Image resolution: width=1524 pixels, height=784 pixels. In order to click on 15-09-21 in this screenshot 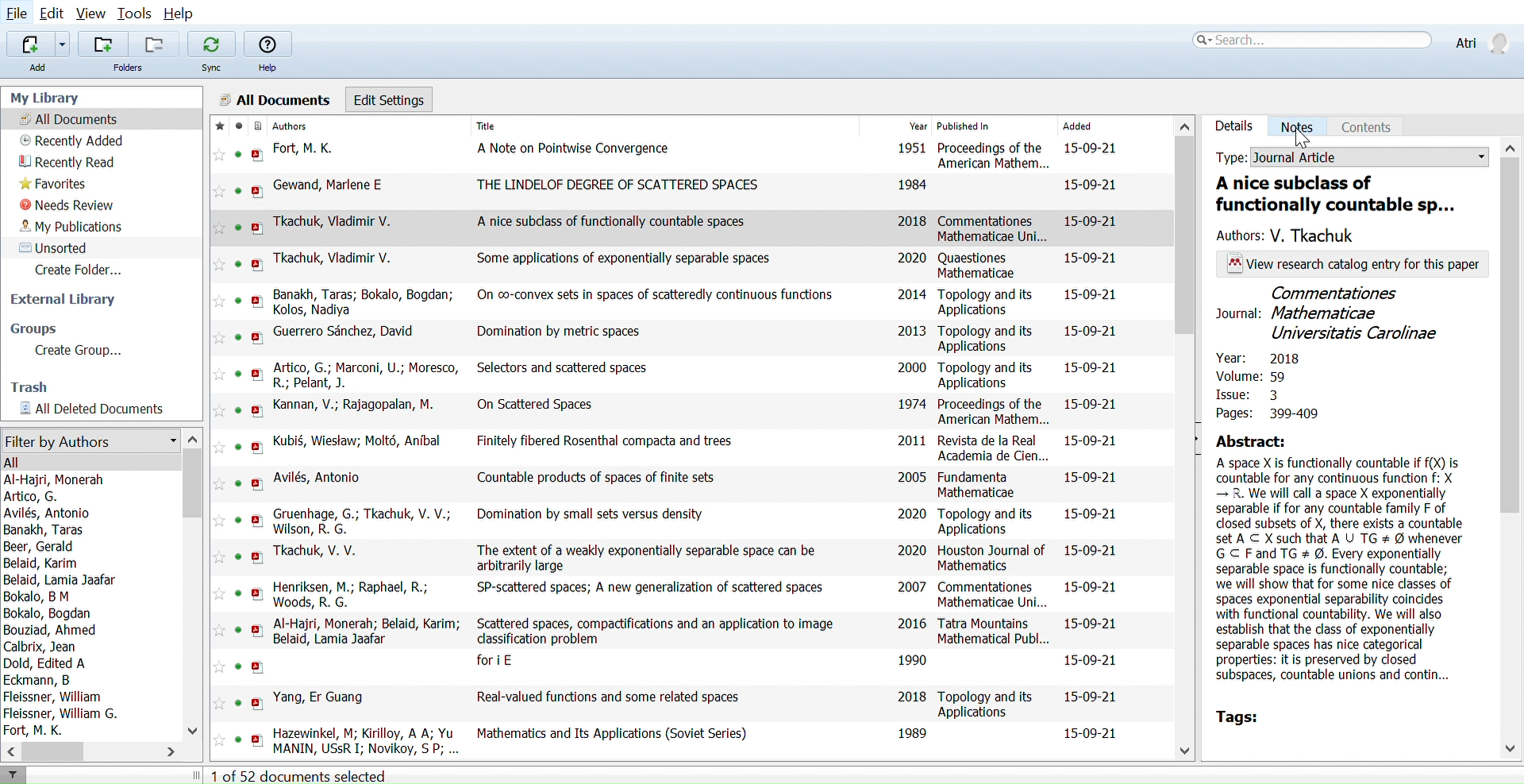, I will do `click(1091, 513)`.